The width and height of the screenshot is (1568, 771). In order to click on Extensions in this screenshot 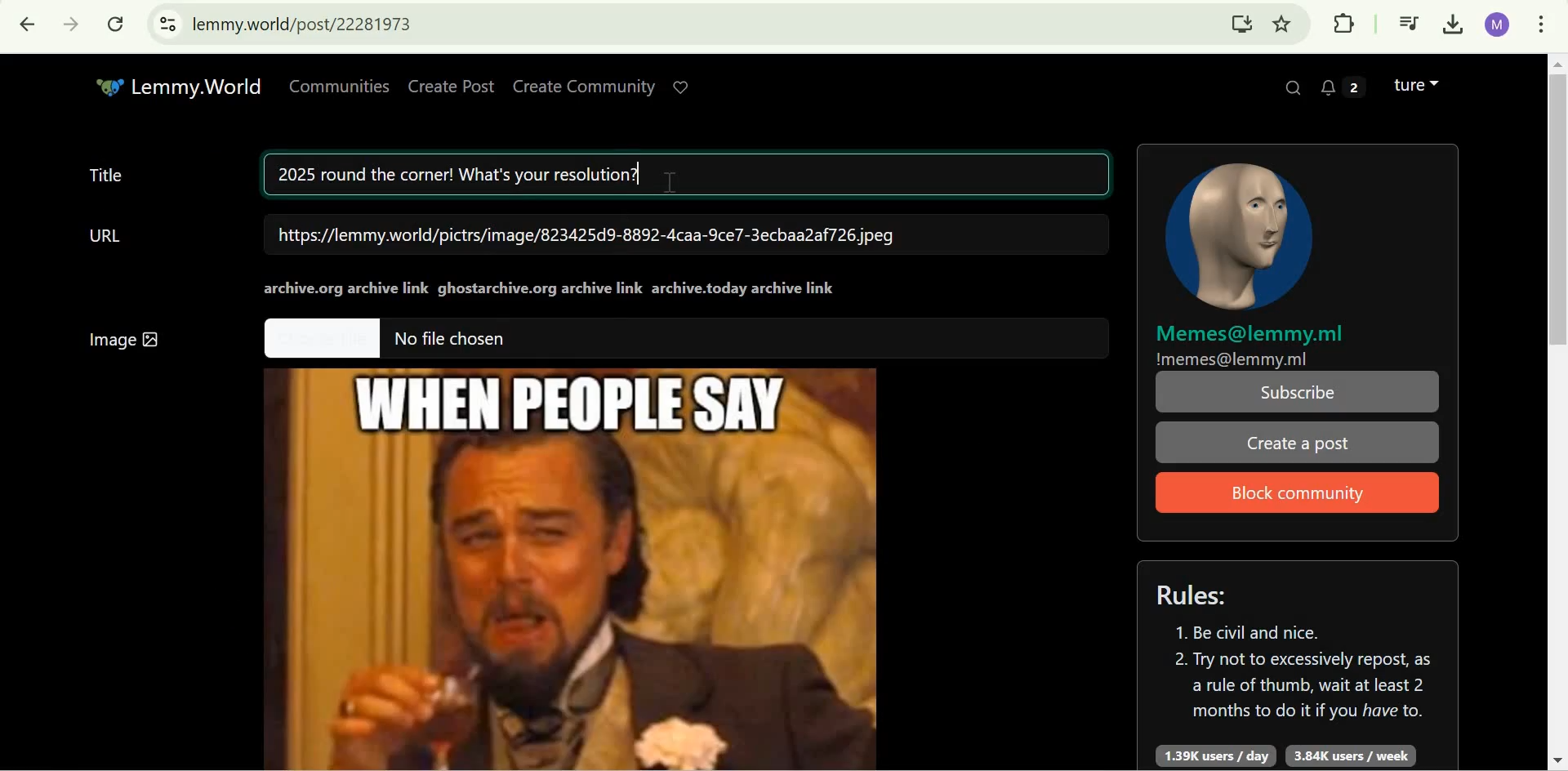, I will do `click(1343, 23)`.